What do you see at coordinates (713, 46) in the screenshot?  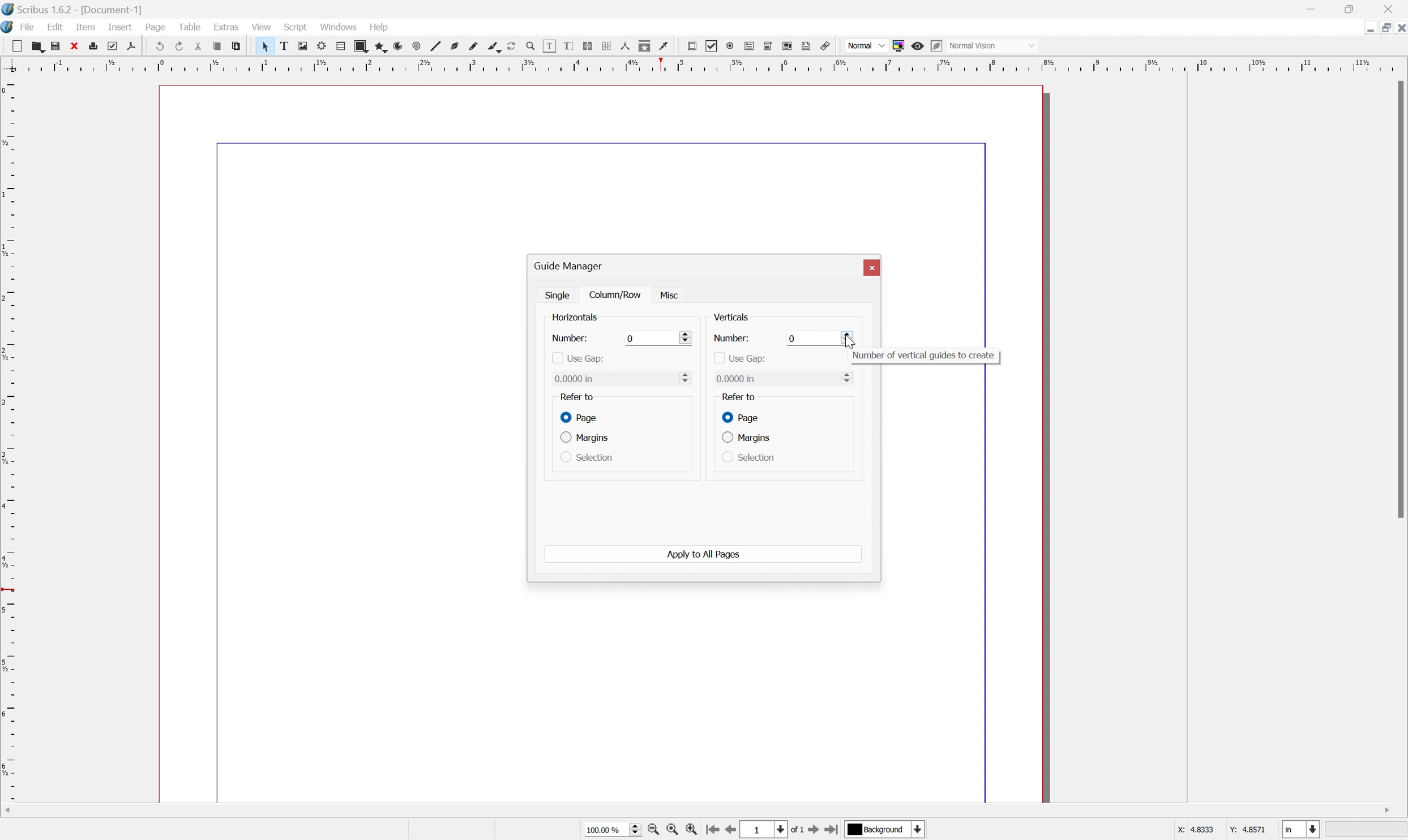 I see `pdf checkbox` at bounding box center [713, 46].